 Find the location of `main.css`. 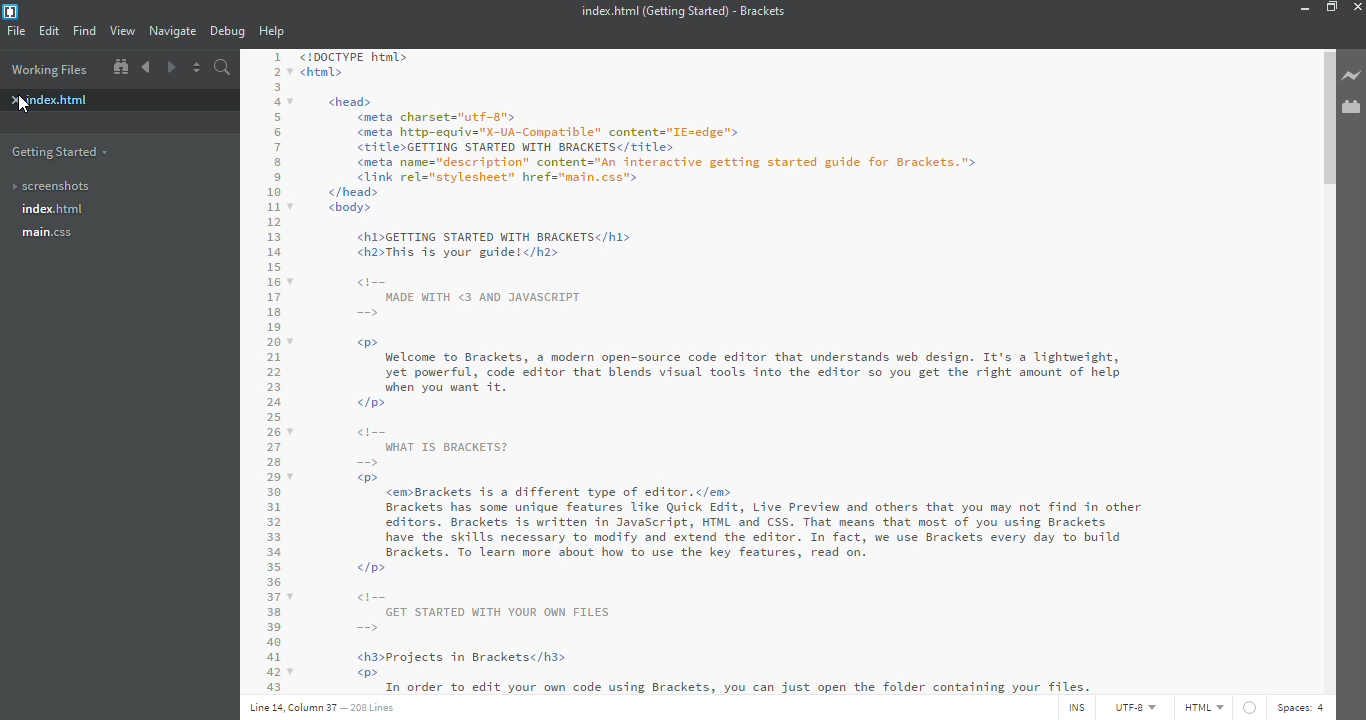

main.css is located at coordinates (51, 233).